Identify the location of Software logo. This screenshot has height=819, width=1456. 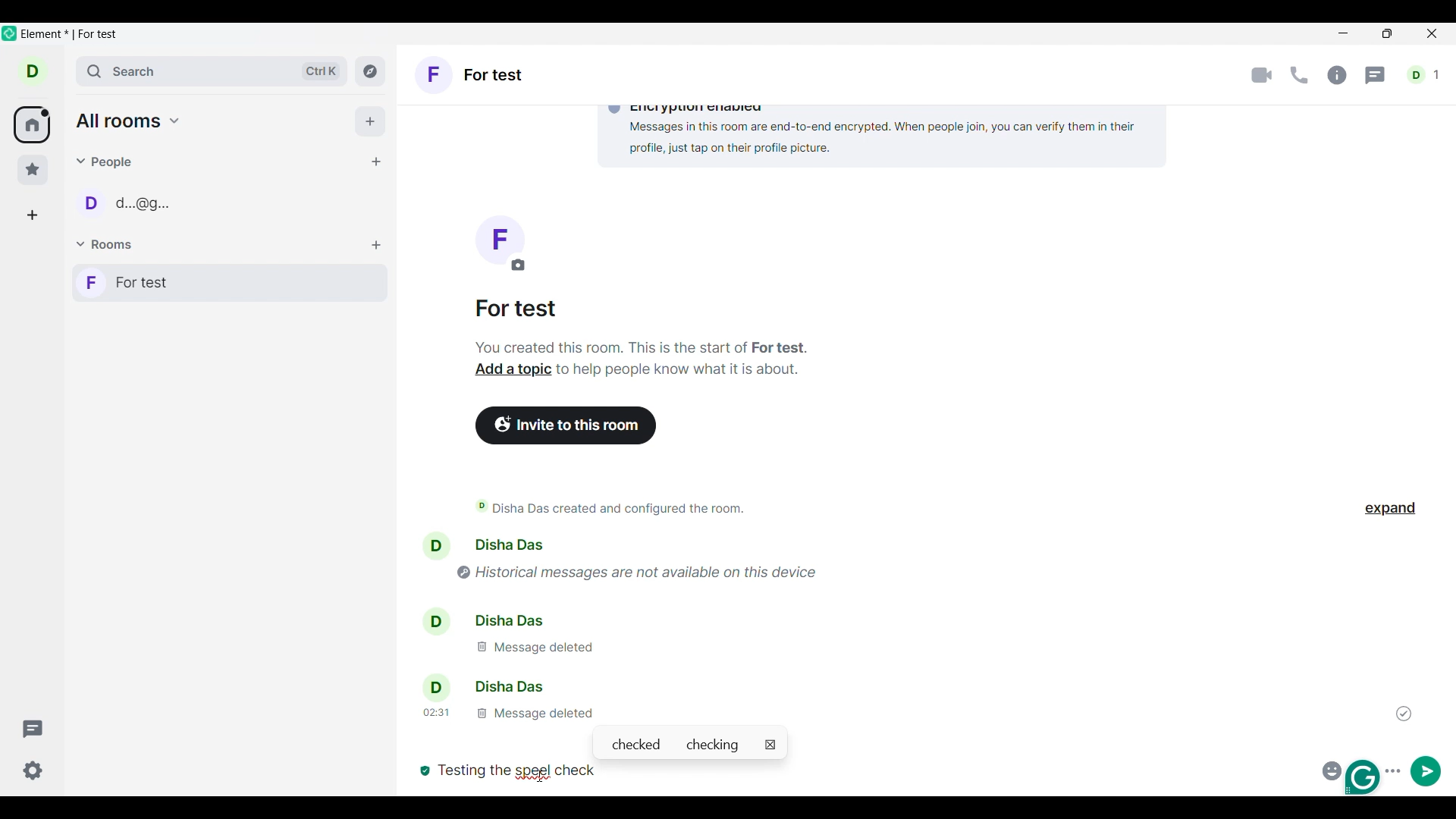
(10, 33).